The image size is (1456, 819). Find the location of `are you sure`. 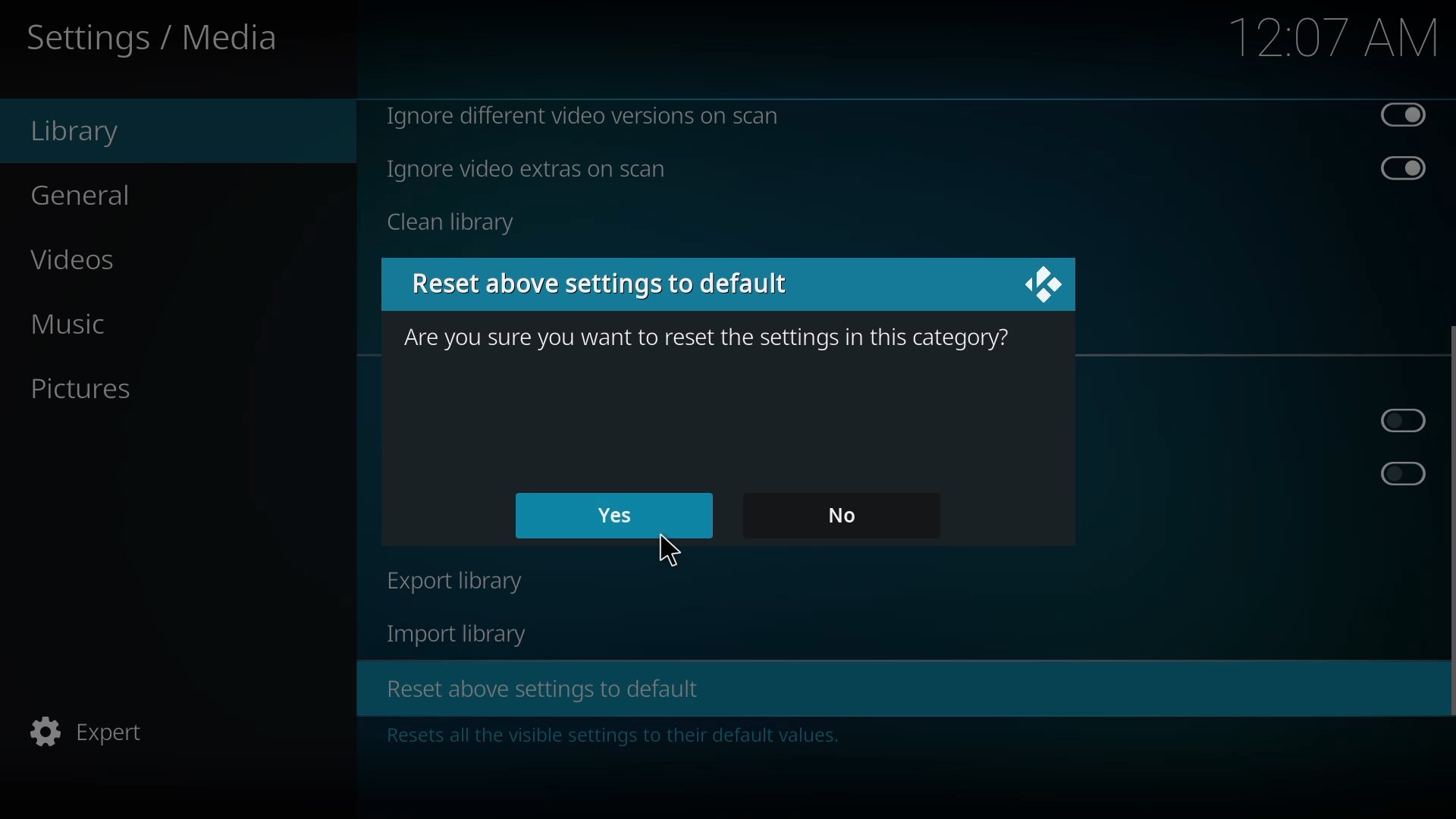

are you sure is located at coordinates (706, 338).